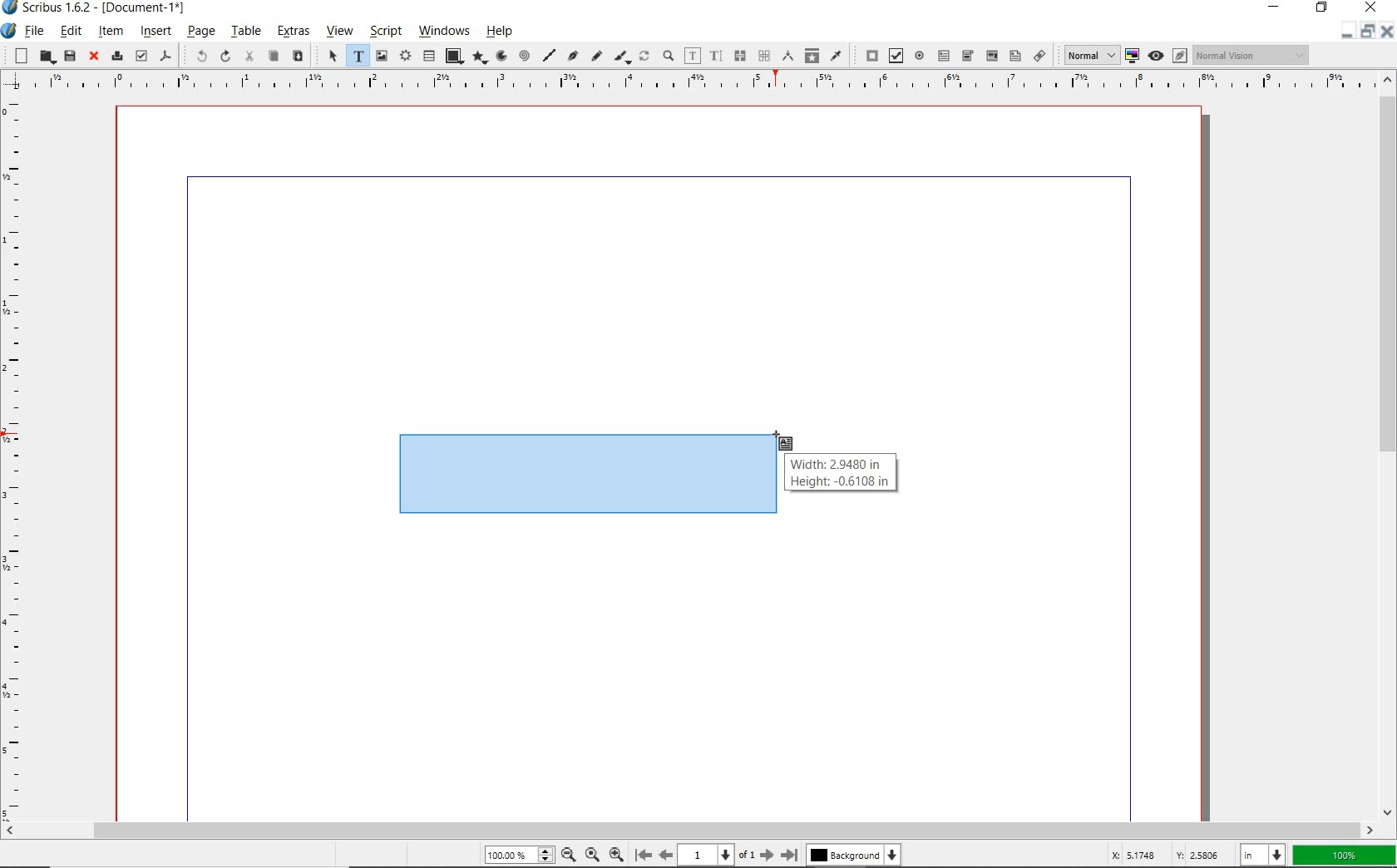  Describe the element at coordinates (1014, 57) in the screenshot. I see `Text annotation` at that location.